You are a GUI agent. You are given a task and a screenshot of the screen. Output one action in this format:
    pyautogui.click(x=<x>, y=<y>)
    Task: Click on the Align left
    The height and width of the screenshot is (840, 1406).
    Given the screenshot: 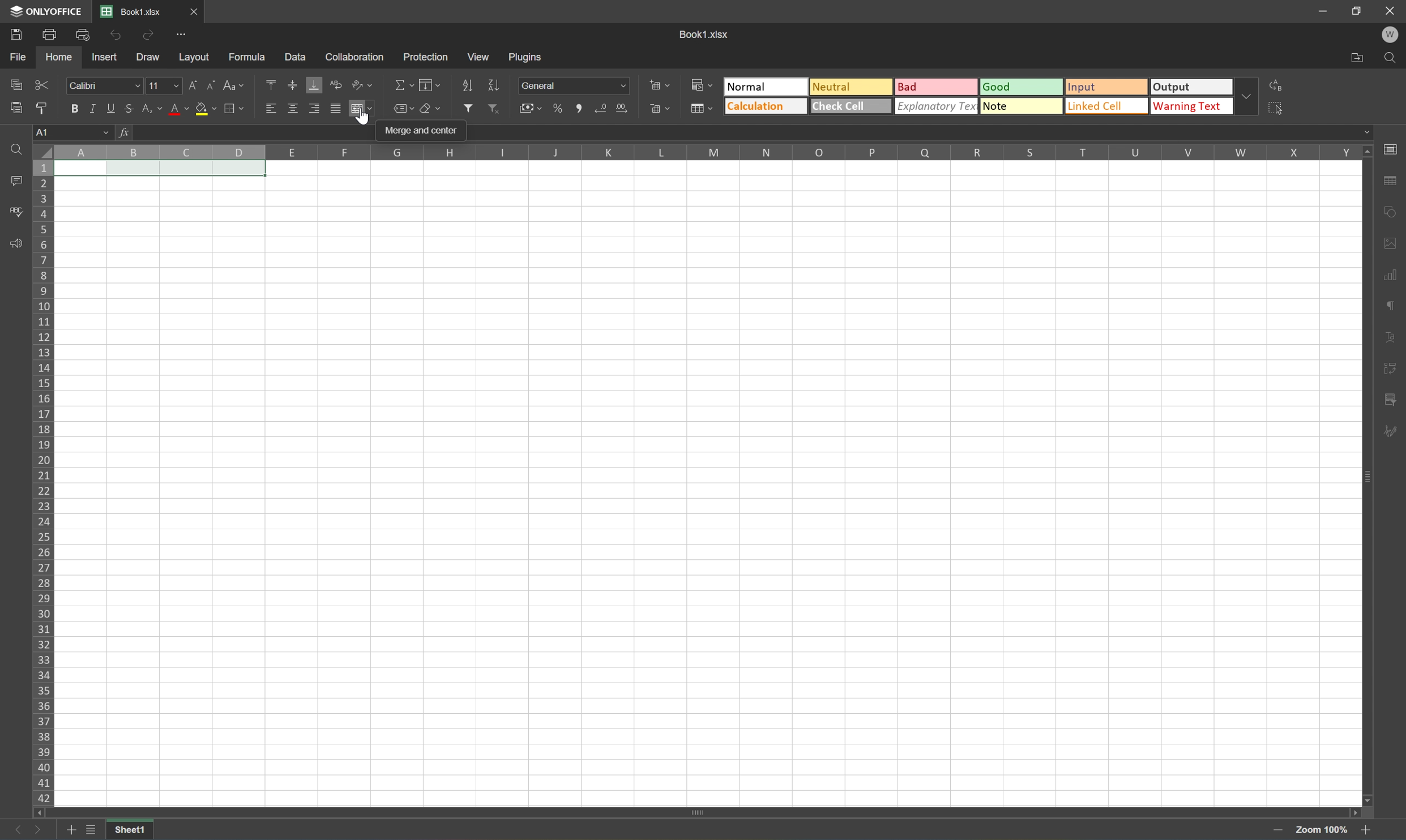 What is the action you would take?
    pyautogui.click(x=270, y=109)
    